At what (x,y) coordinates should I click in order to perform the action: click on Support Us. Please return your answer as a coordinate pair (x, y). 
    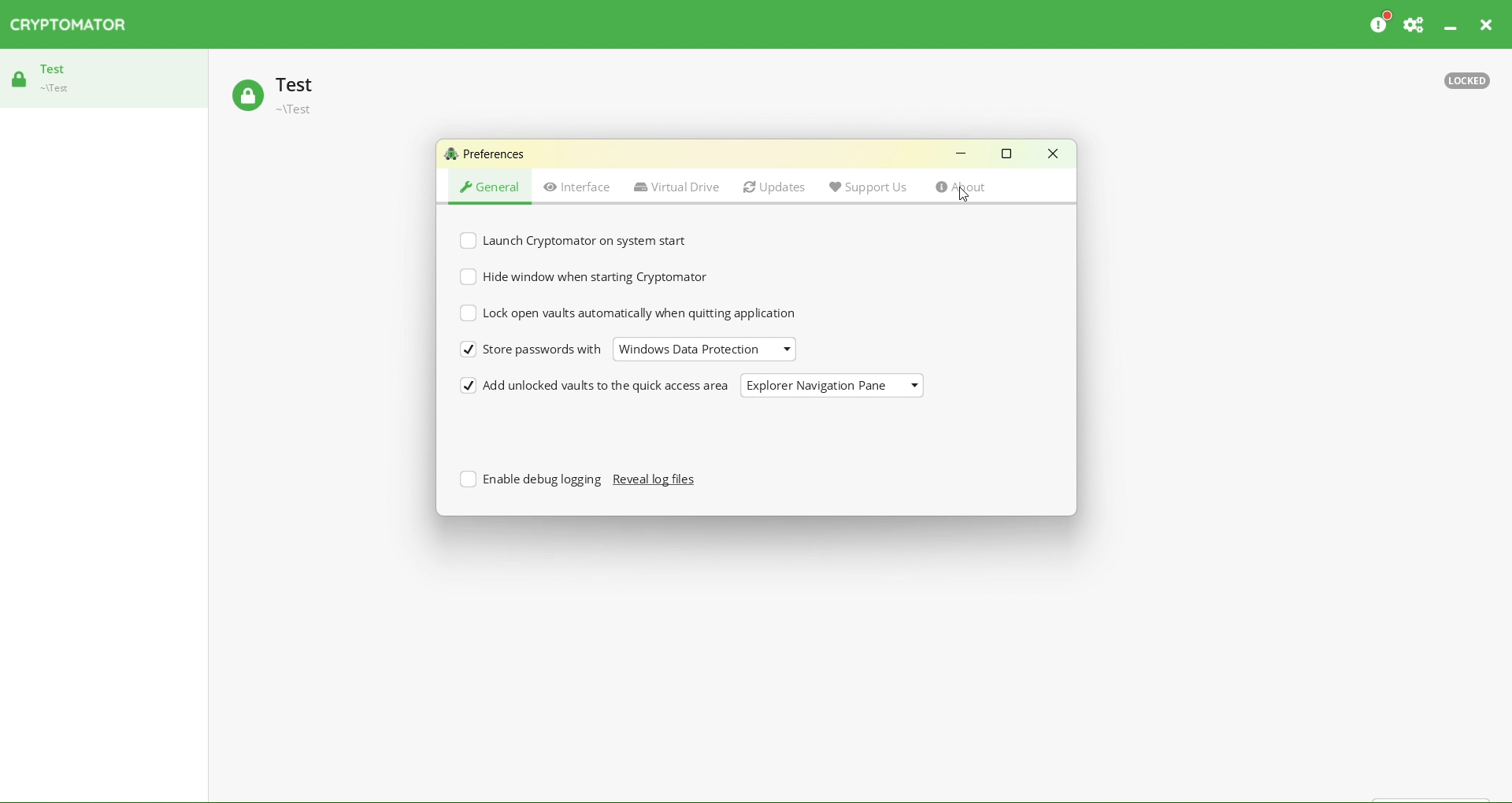
    Looking at the image, I should click on (872, 188).